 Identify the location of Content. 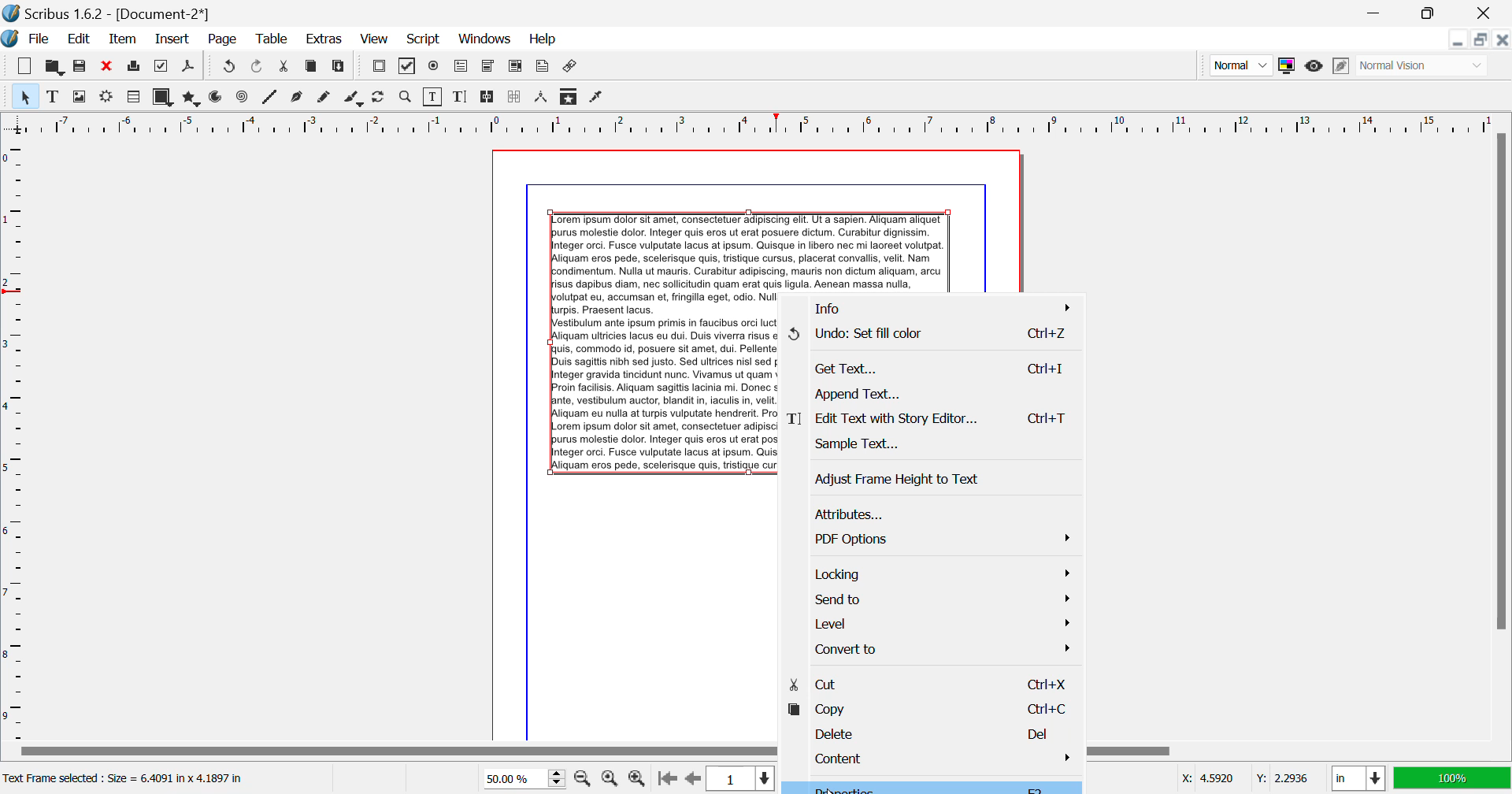
(926, 756).